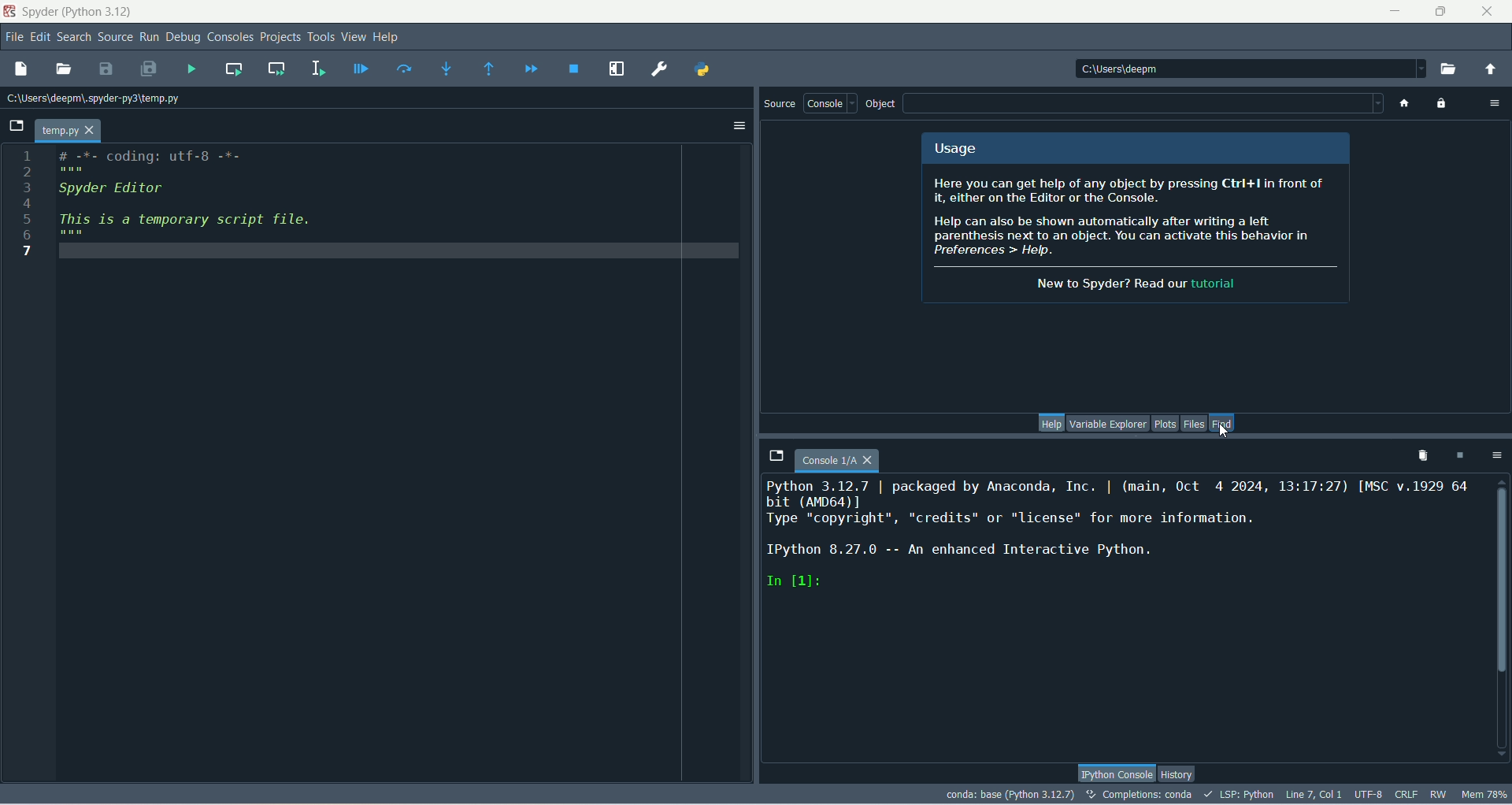 Image resolution: width=1512 pixels, height=805 pixels. What do you see at coordinates (1418, 457) in the screenshot?
I see `remove` at bounding box center [1418, 457].